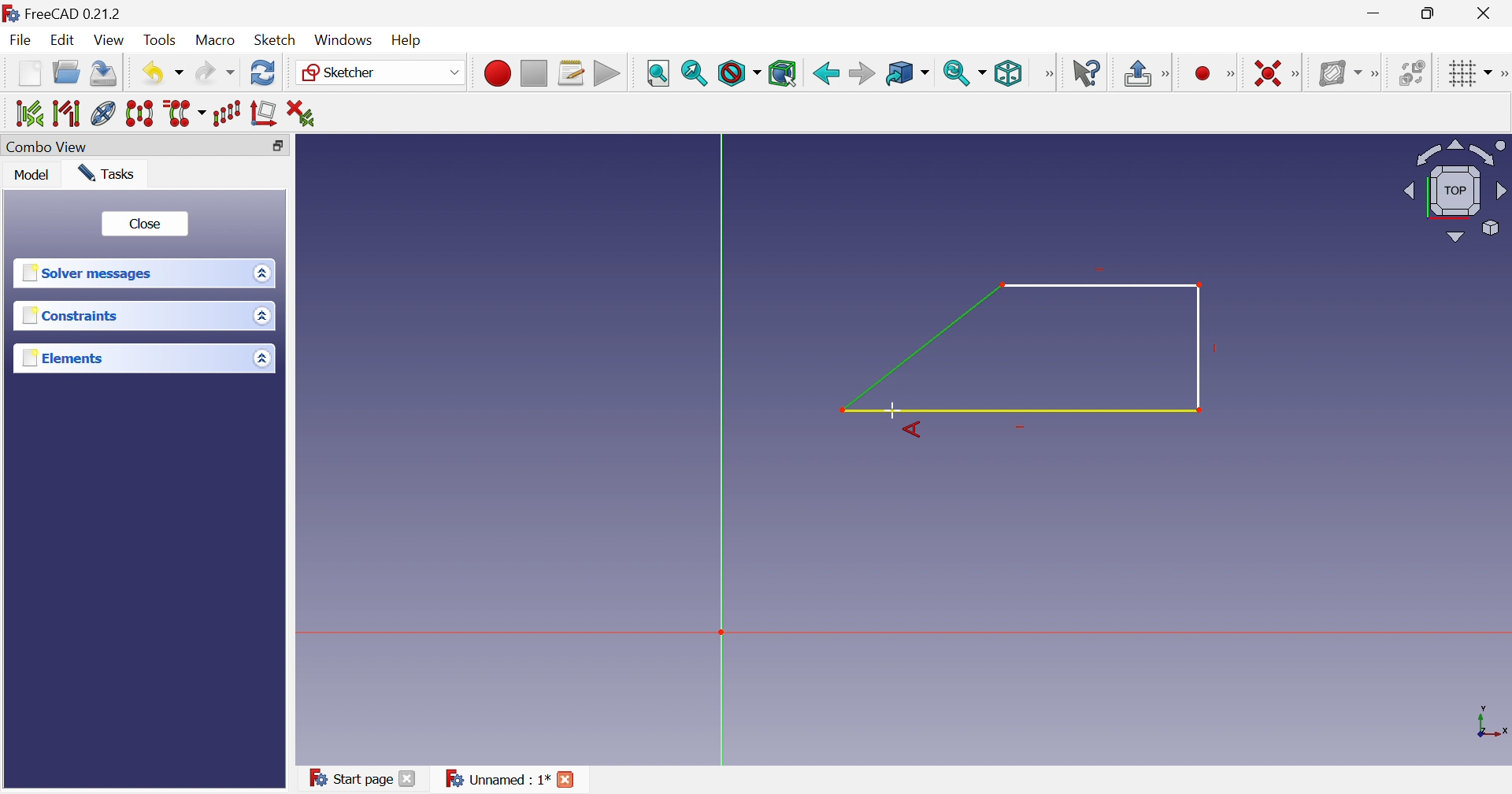 This screenshot has height=794, width=1512. Describe the element at coordinates (658, 72) in the screenshot. I see `Fit all` at that location.